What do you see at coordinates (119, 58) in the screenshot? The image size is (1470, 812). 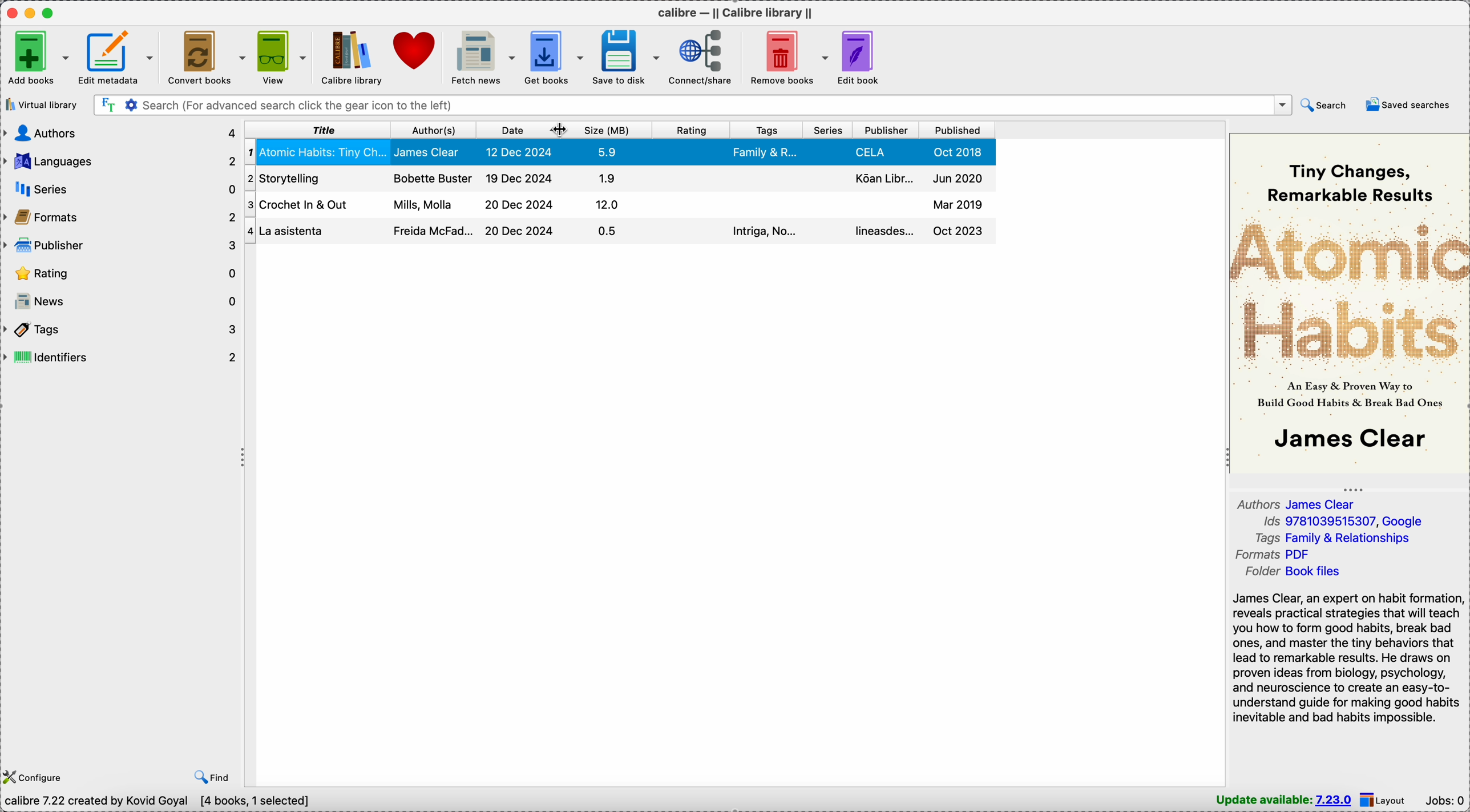 I see `edit metadata` at bounding box center [119, 58].